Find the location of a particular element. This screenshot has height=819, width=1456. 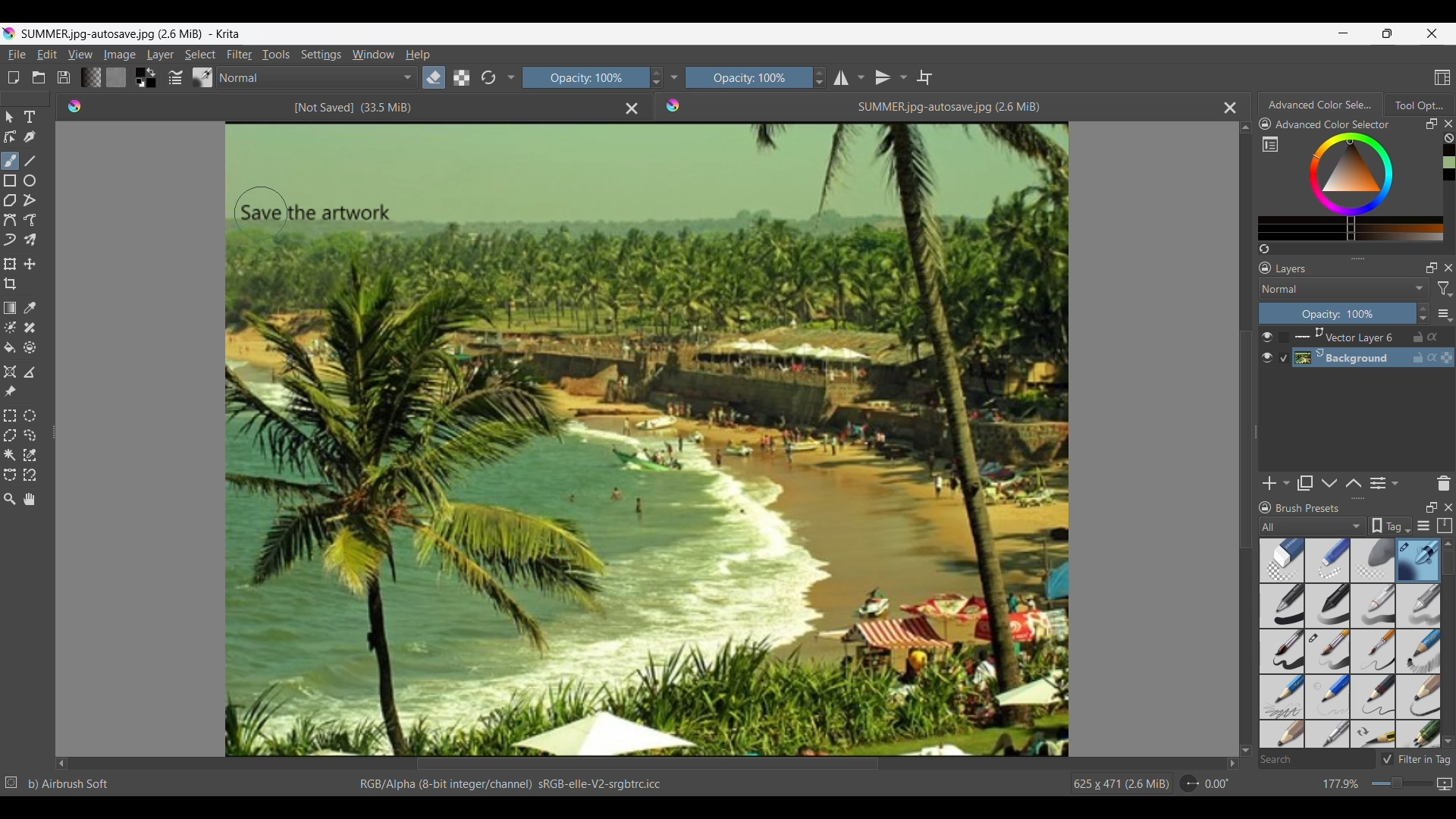

Open new document is located at coordinates (13, 77).